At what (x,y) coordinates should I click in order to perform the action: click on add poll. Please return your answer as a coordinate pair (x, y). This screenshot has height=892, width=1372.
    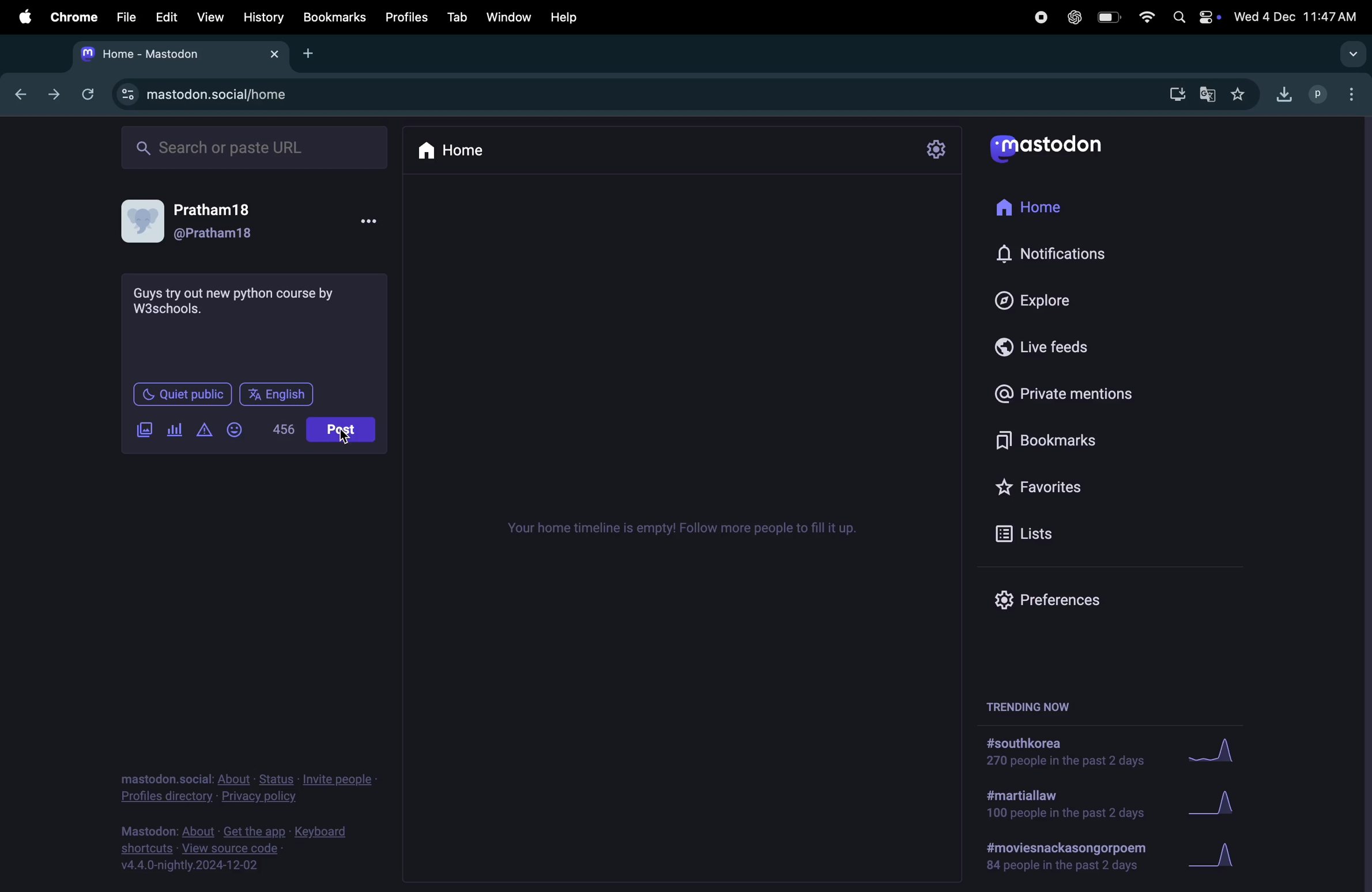
    Looking at the image, I should click on (176, 428).